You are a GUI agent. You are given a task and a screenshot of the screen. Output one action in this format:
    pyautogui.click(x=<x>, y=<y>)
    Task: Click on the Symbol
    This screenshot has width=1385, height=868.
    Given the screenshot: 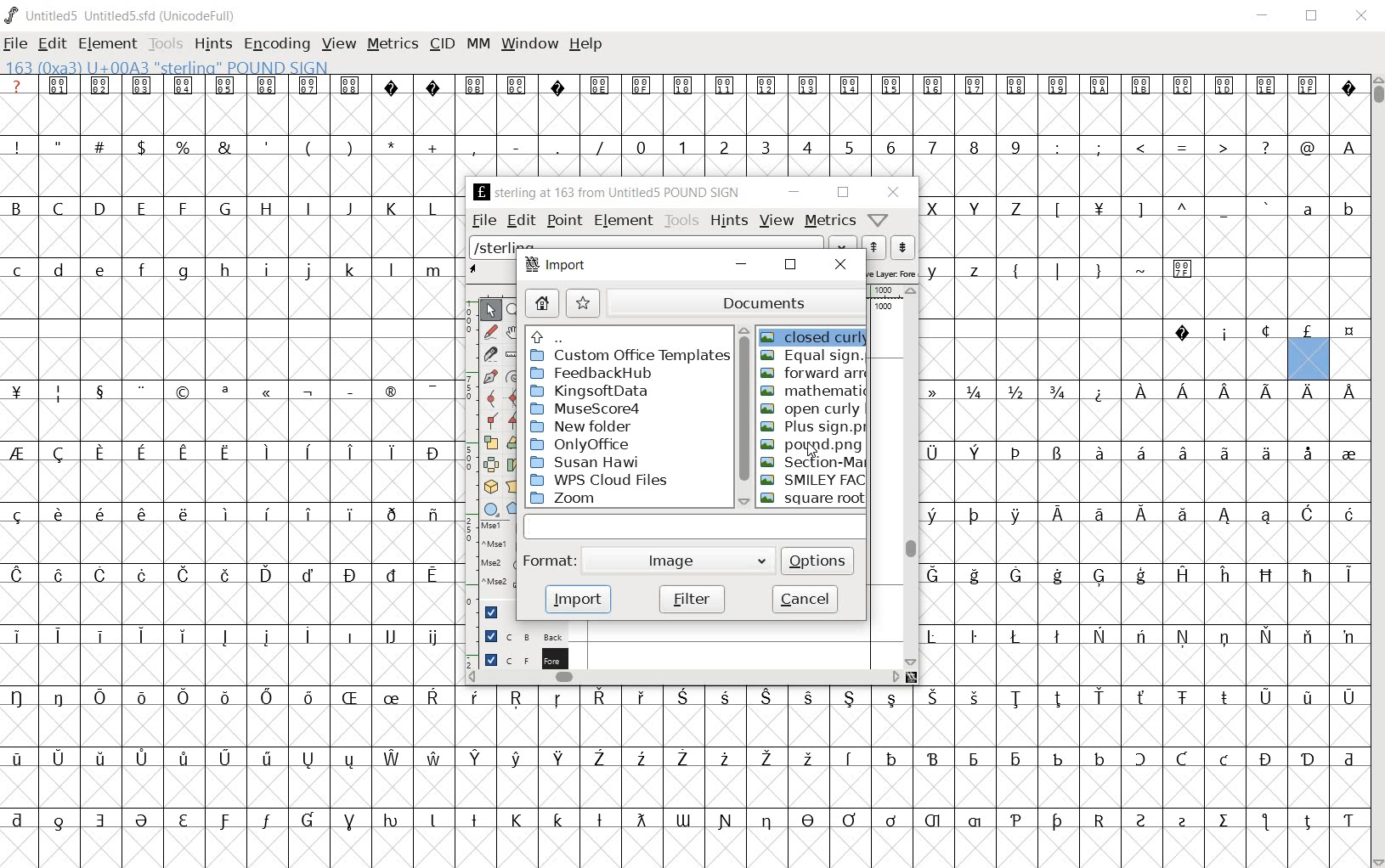 What is the action you would take?
    pyautogui.click(x=807, y=821)
    